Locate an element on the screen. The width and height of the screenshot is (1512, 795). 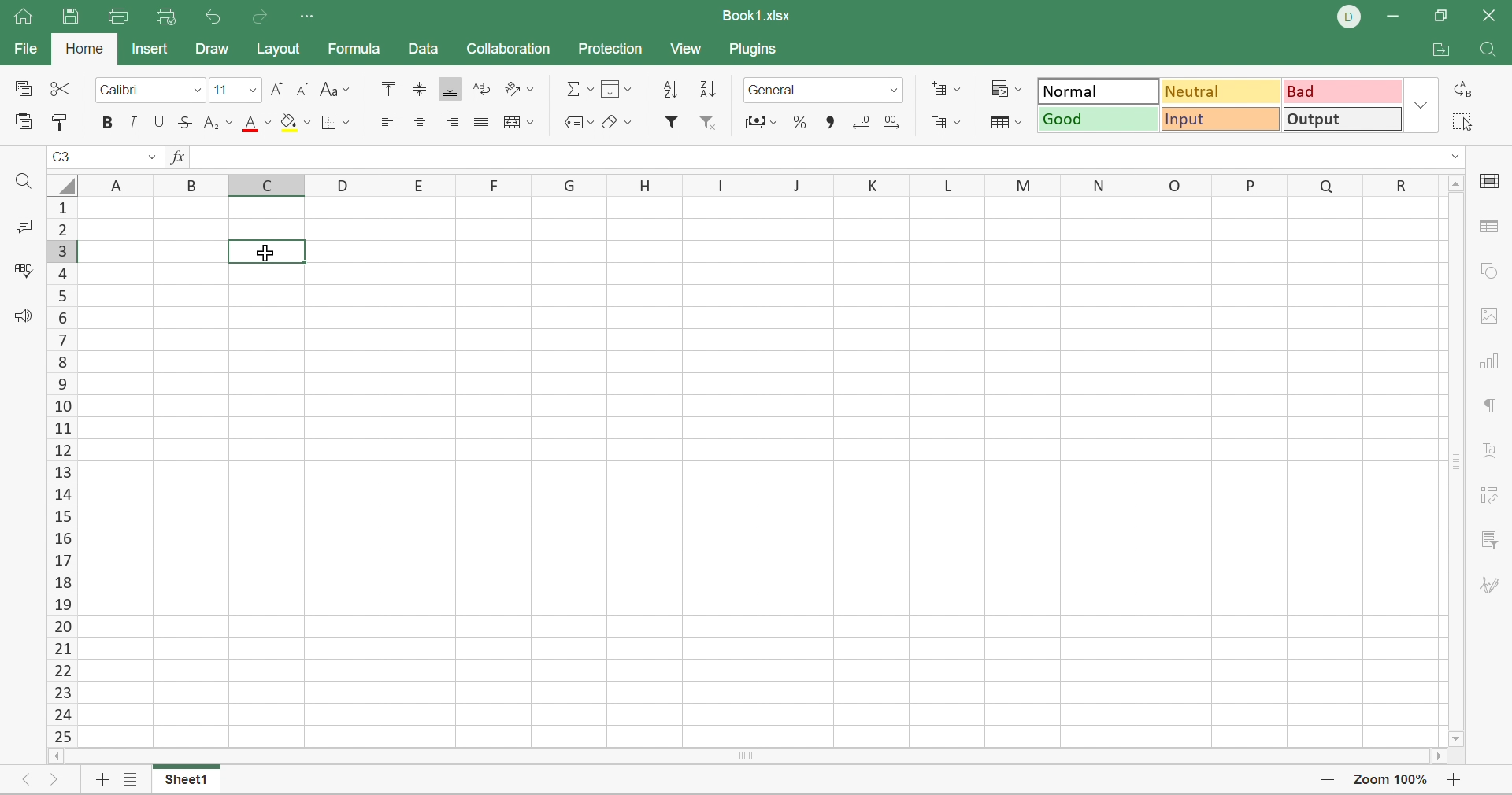
Strikethrough is located at coordinates (187, 125).